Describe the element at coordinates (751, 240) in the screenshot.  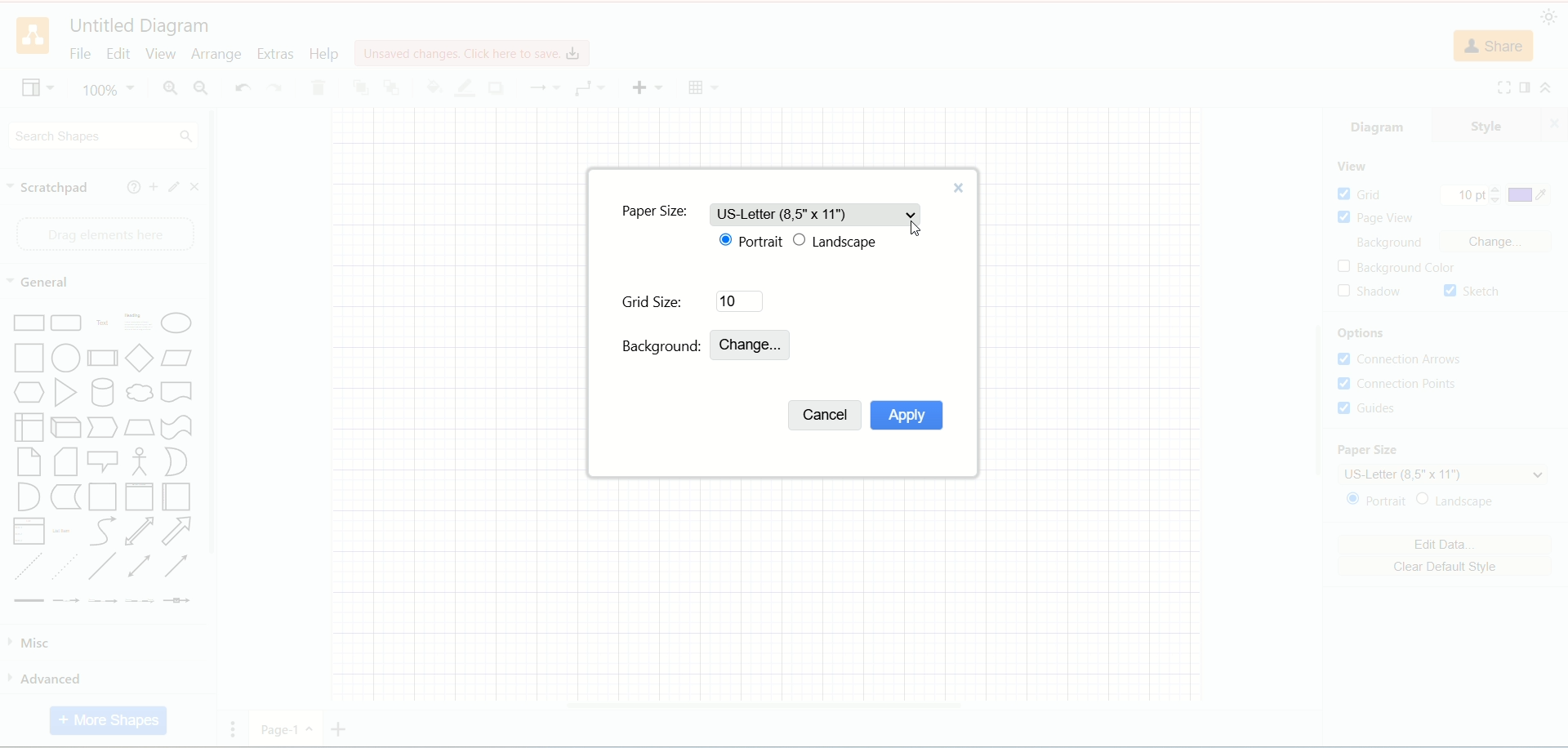
I see `portrait` at that location.